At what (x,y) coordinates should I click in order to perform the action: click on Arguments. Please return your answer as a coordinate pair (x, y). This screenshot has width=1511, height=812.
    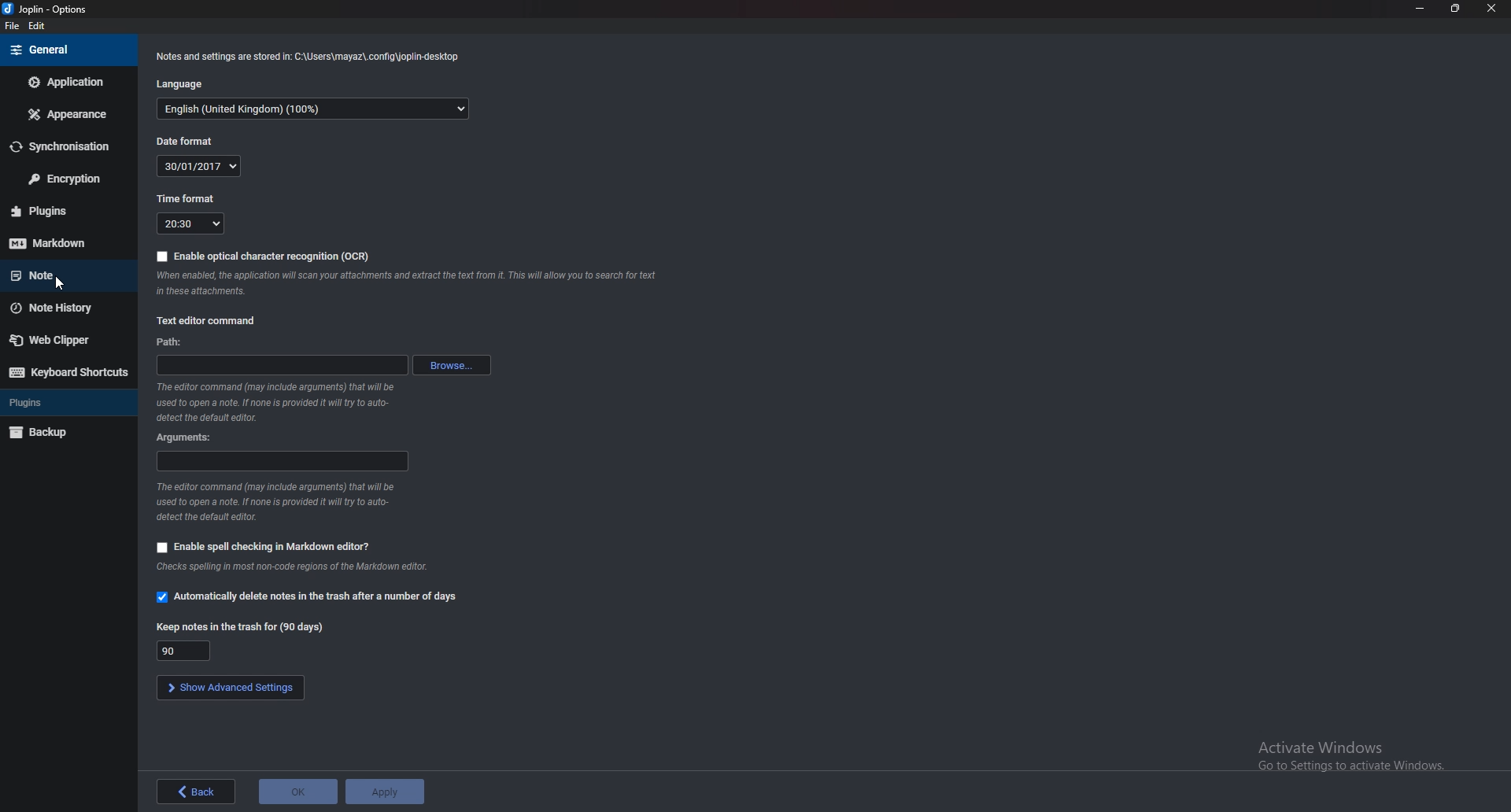
    Looking at the image, I should click on (183, 439).